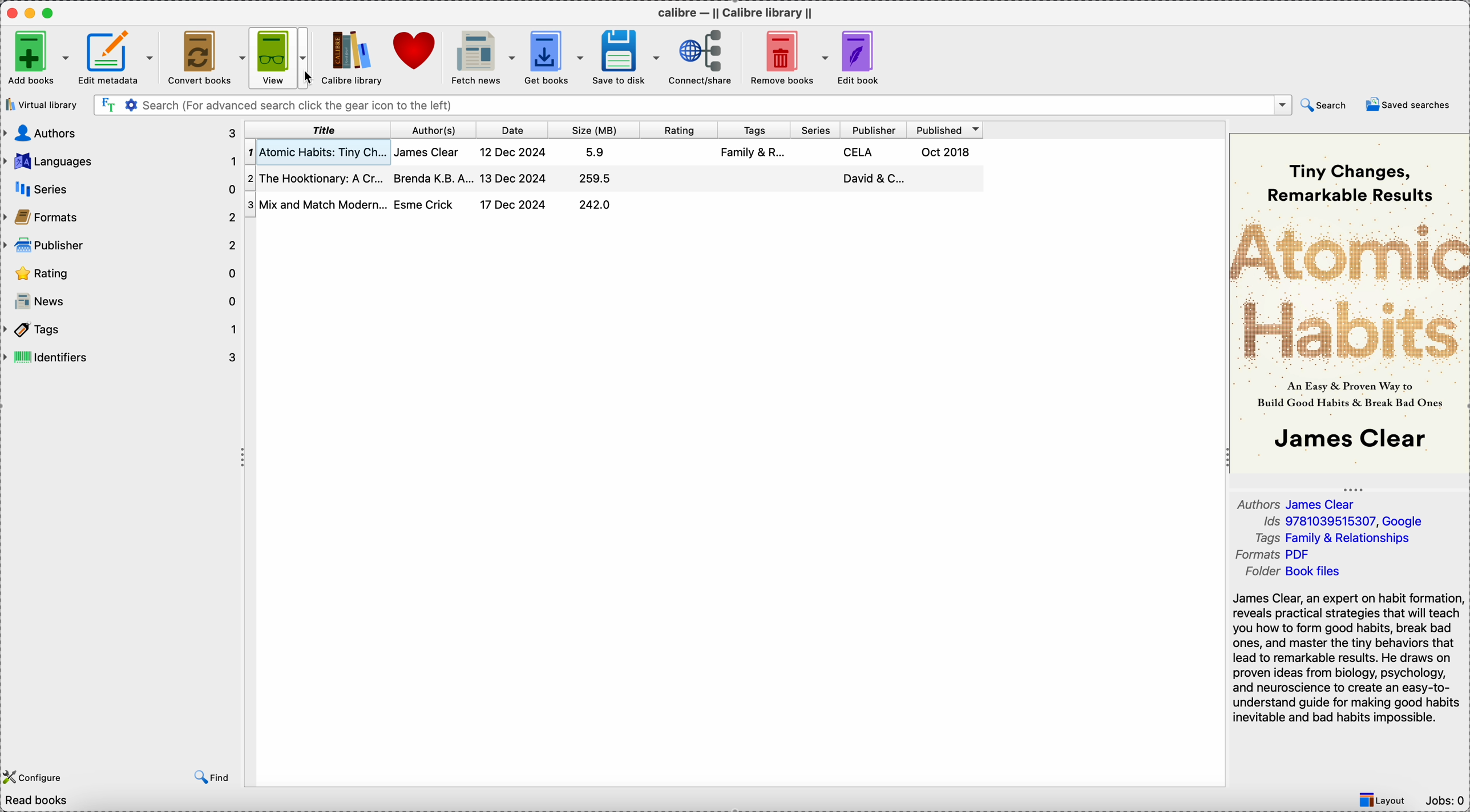 This screenshot has height=812, width=1470. I want to click on search bar, so click(692, 105).